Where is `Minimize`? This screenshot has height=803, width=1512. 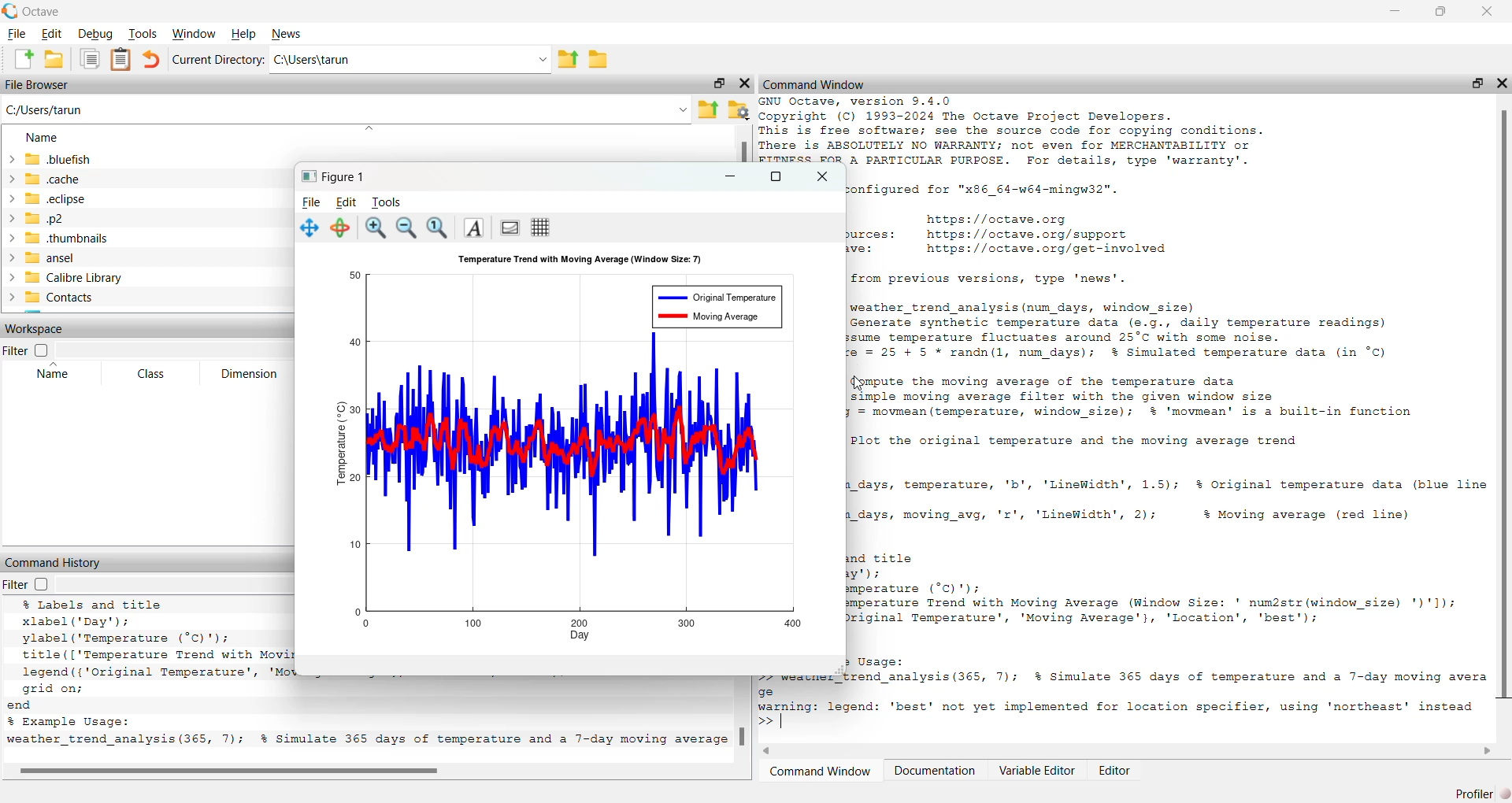 Minimize is located at coordinates (726, 174).